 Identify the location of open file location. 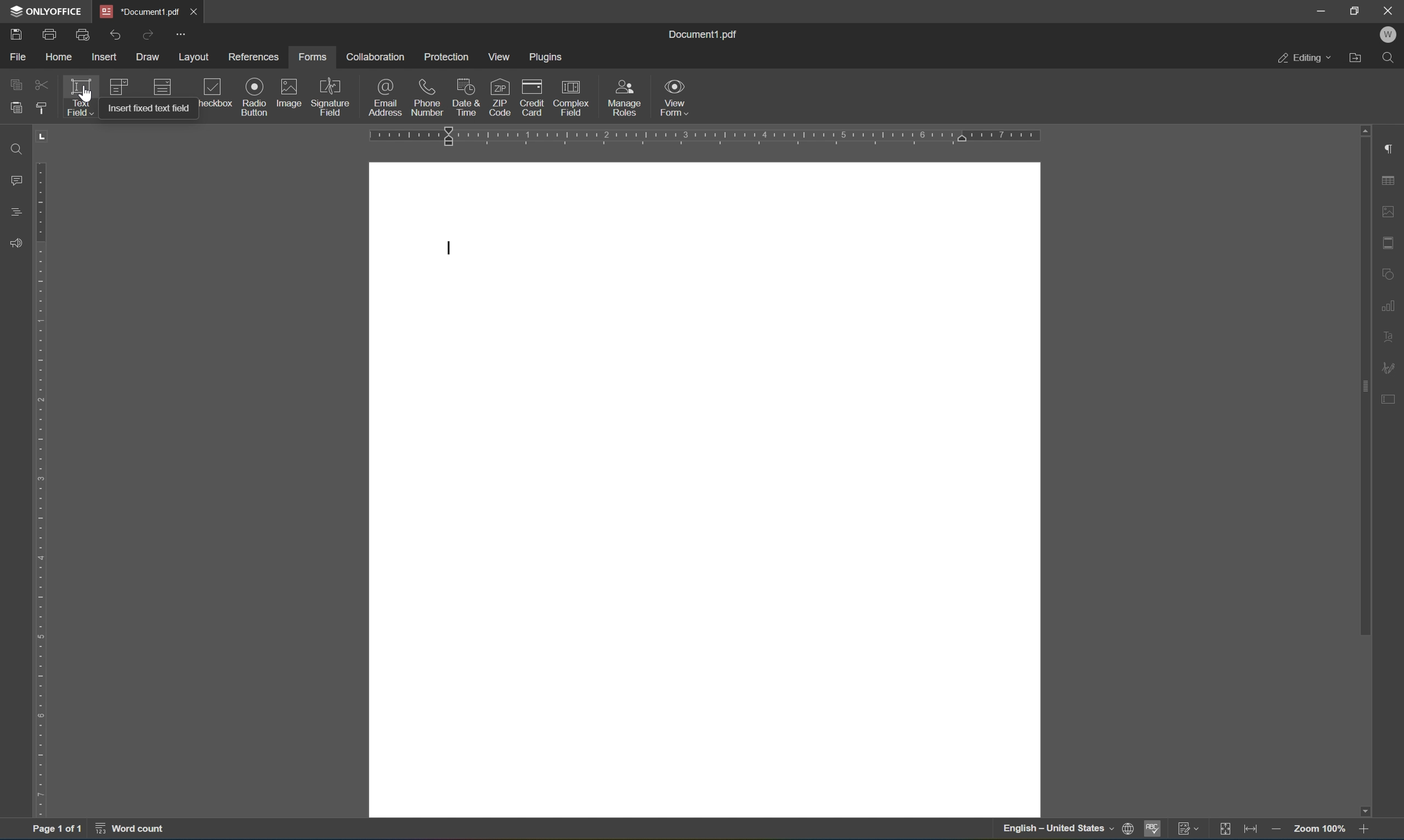
(1359, 57).